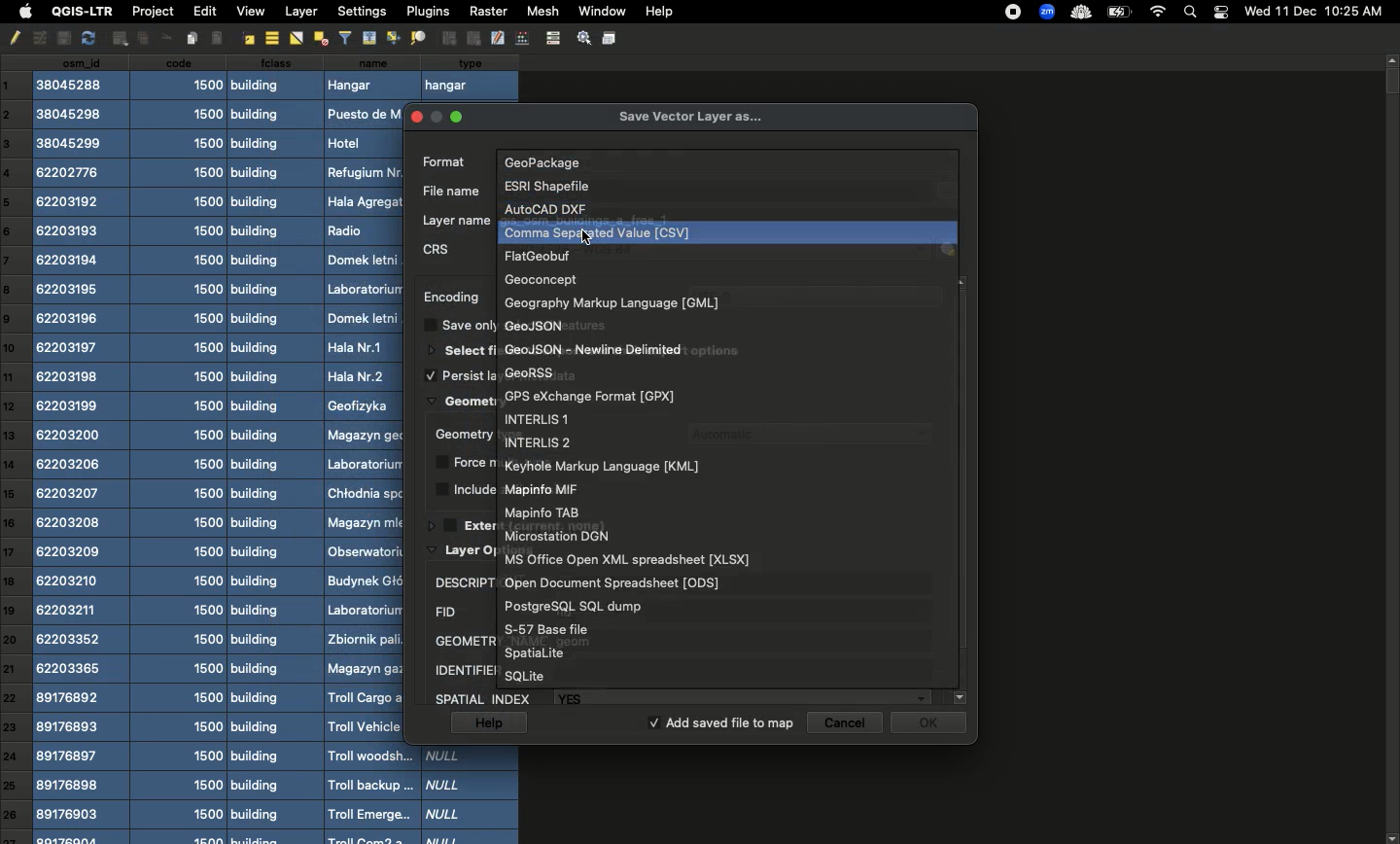  Describe the element at coordinates (590, 394) in the screenshot. I see `Format` at that location.